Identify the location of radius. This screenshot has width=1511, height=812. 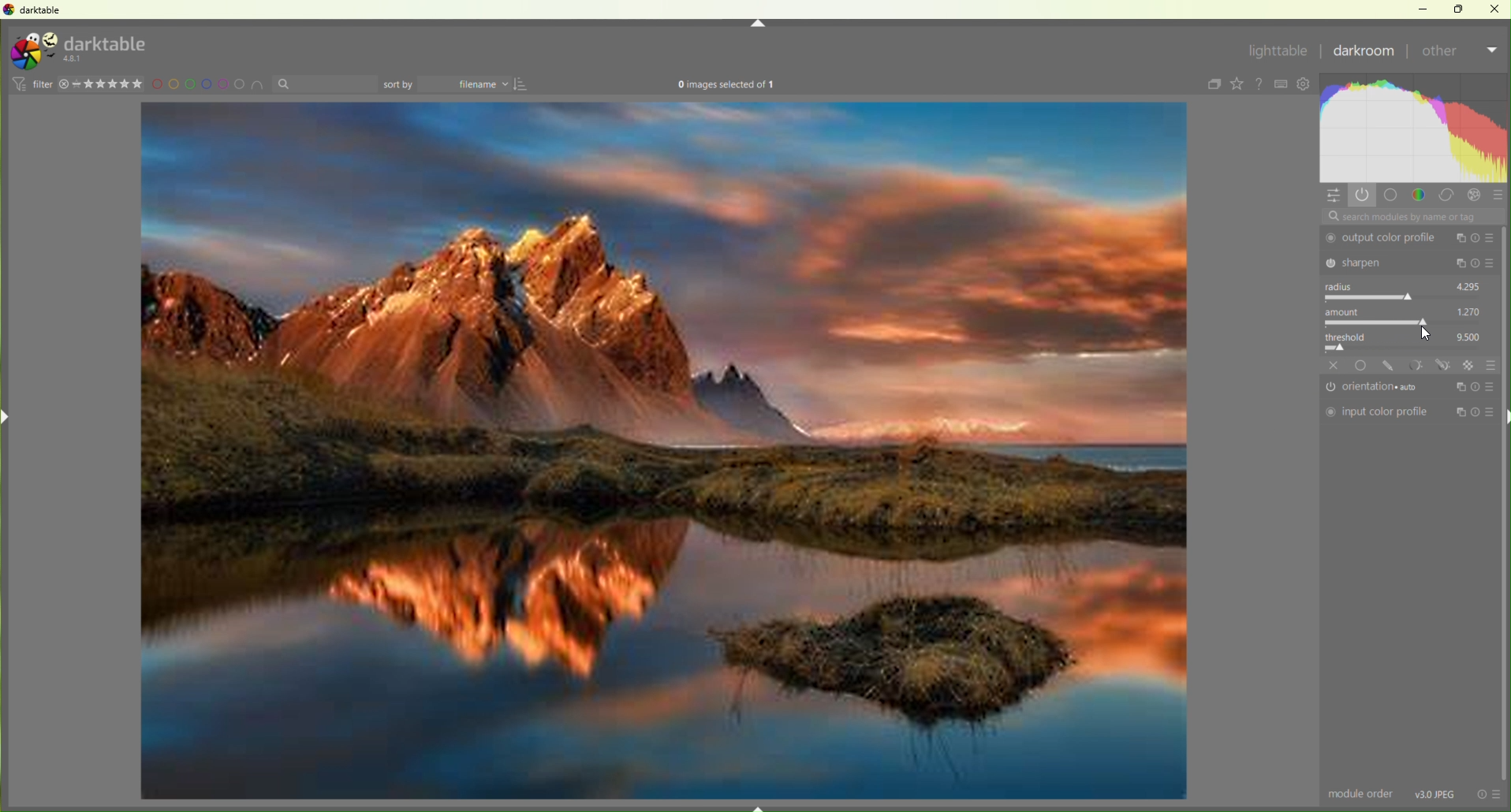
(1343, 286).